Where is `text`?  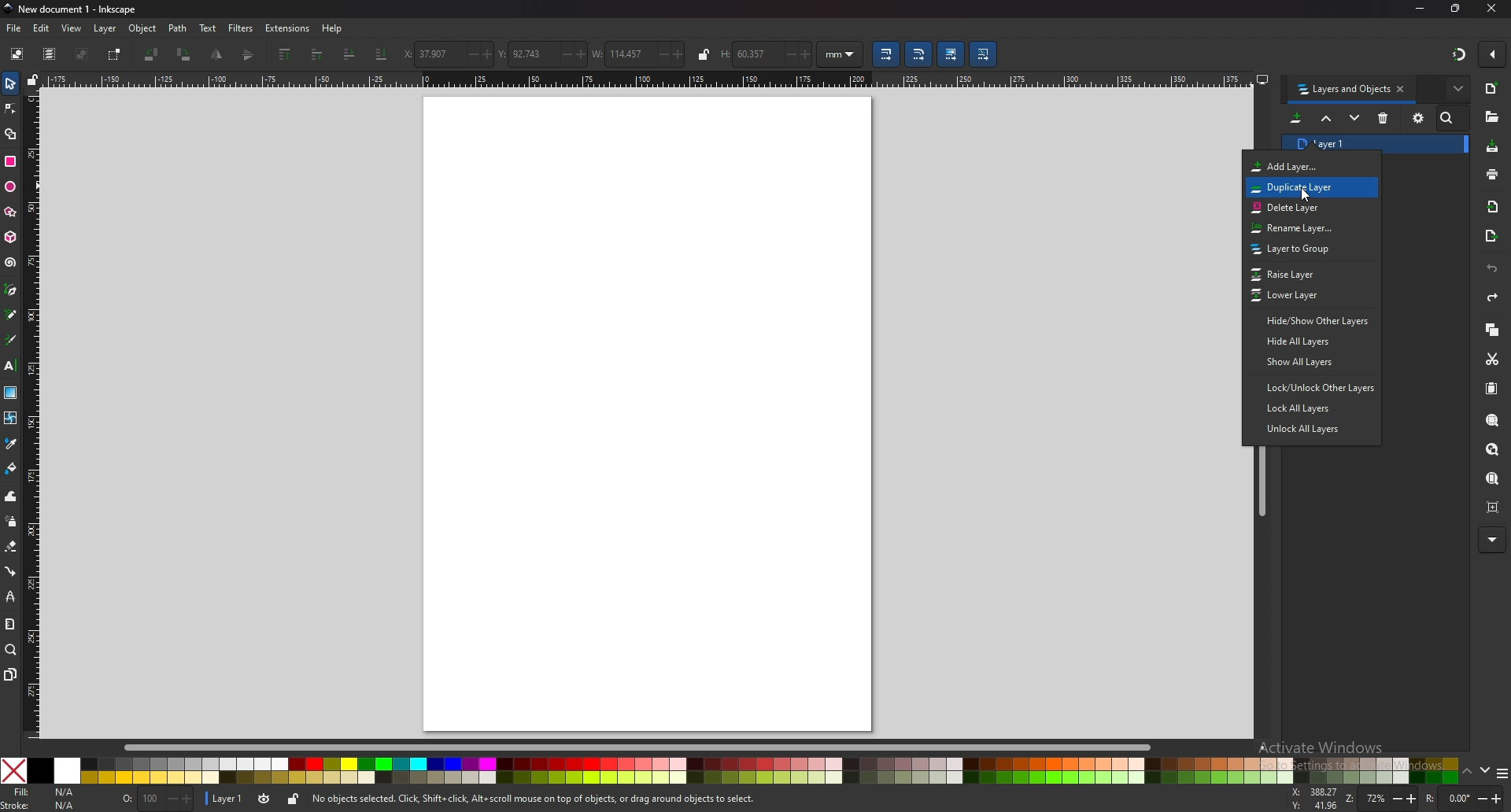
text is located at coordinates (209, 28).